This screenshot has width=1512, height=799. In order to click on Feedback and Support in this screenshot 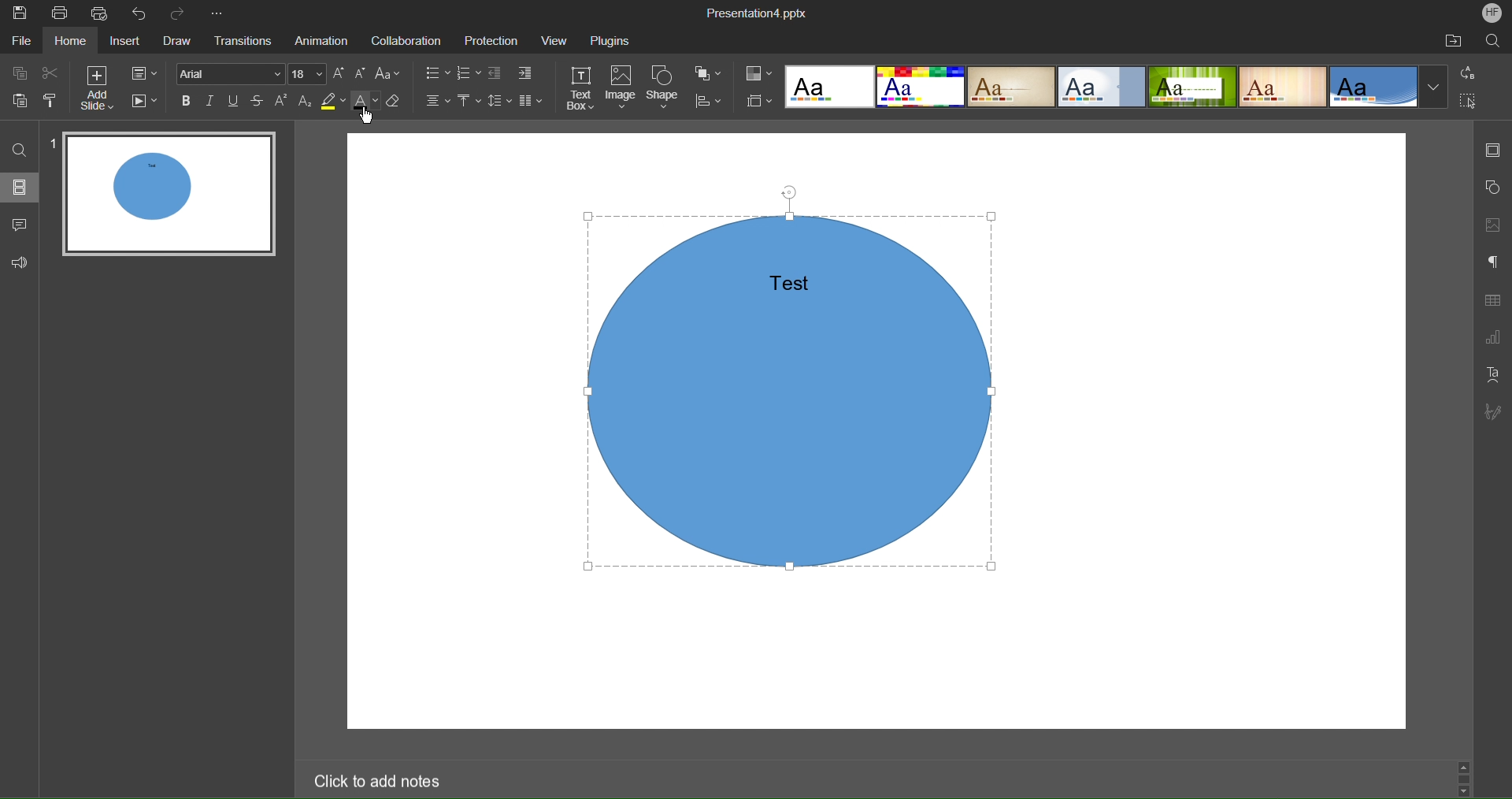, I will do `click(22, 261)`.